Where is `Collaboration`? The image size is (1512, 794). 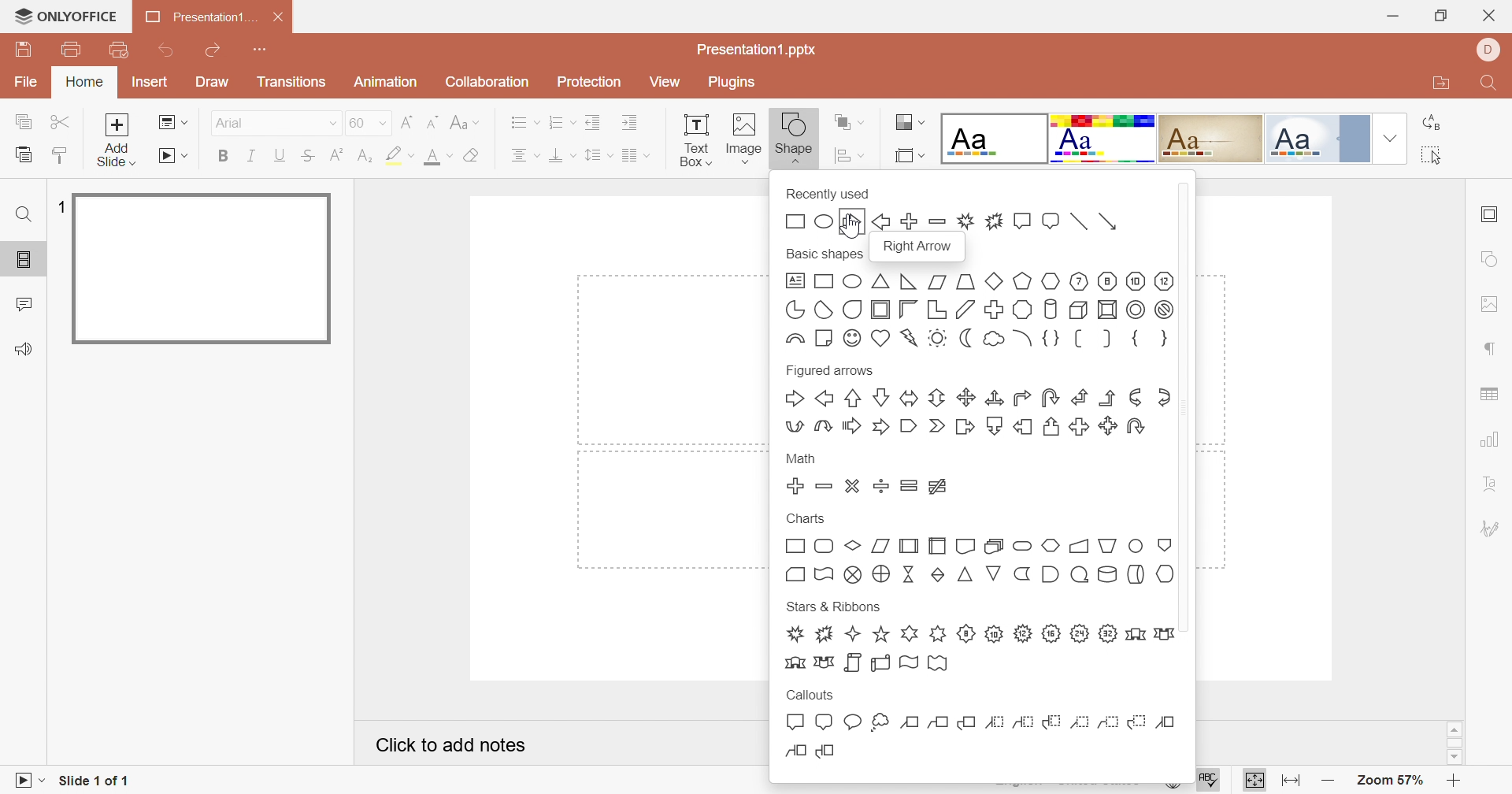 Collaboration is located at coordinates (483, 82).